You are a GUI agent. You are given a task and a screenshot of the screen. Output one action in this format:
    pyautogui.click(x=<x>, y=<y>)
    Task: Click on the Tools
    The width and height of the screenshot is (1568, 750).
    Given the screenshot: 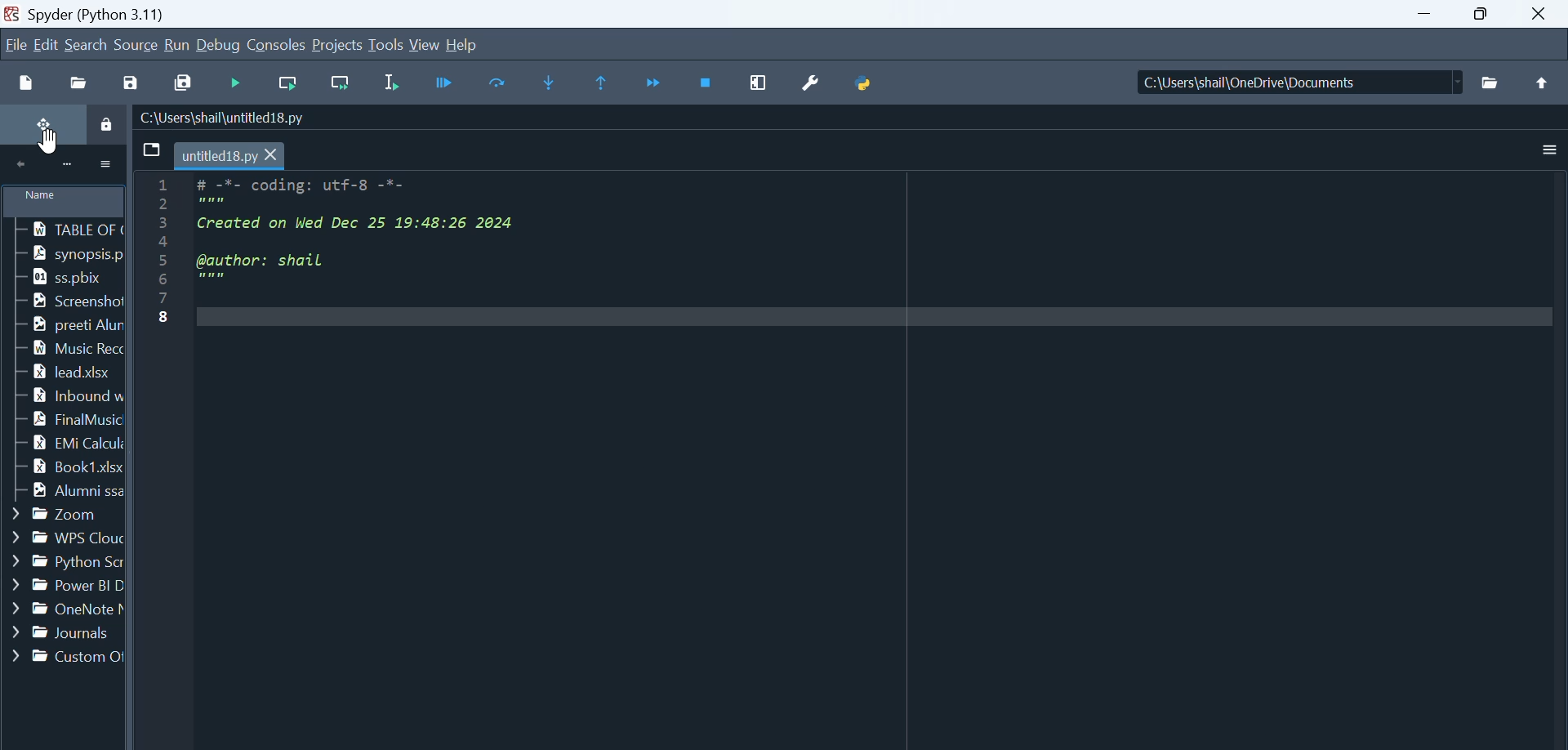 What is the action you would take?
    pyautogui.click(x=388, y=45)
    